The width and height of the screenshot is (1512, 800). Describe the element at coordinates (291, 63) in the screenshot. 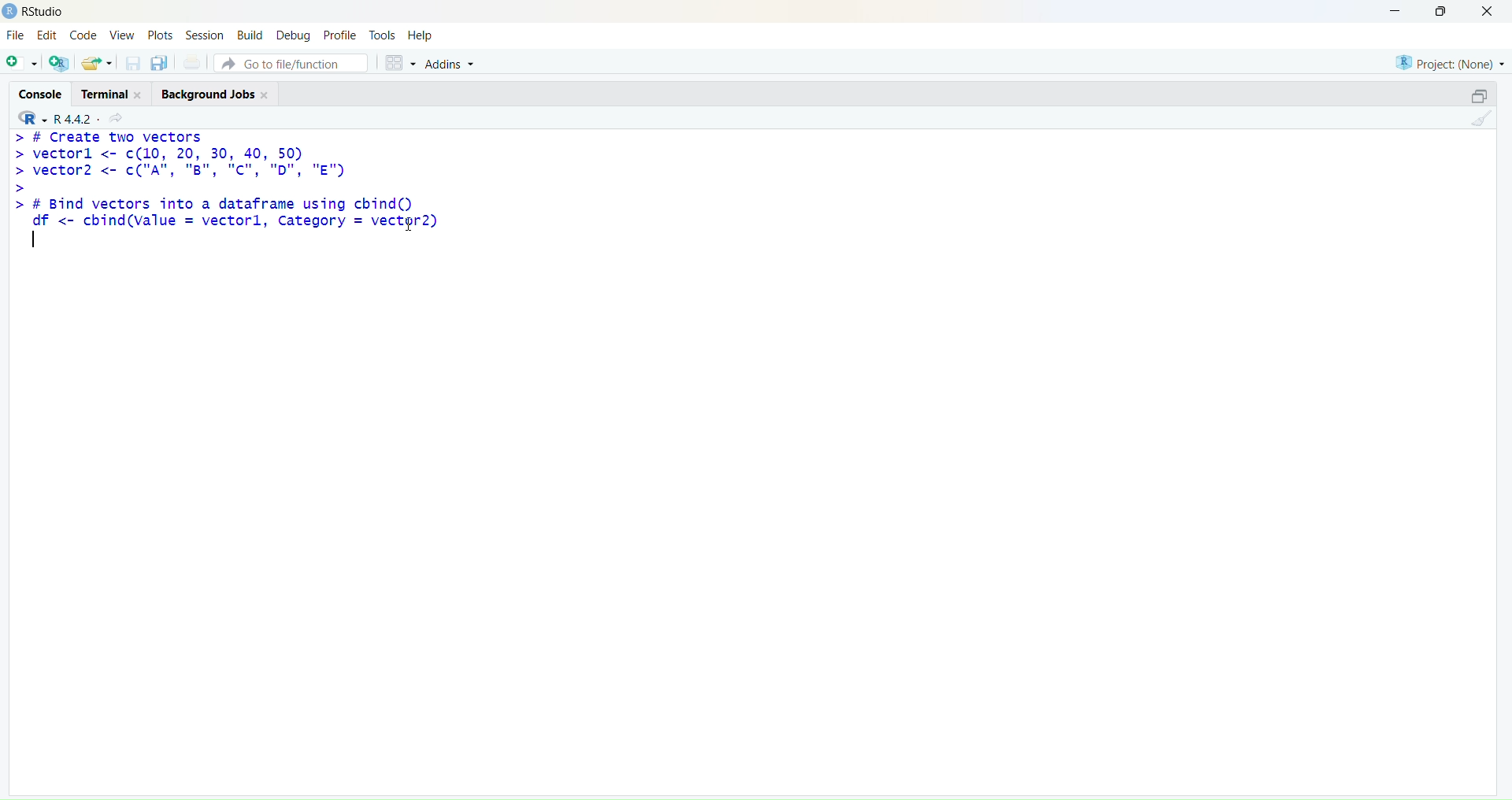

I see `Go to file/function` at that location.